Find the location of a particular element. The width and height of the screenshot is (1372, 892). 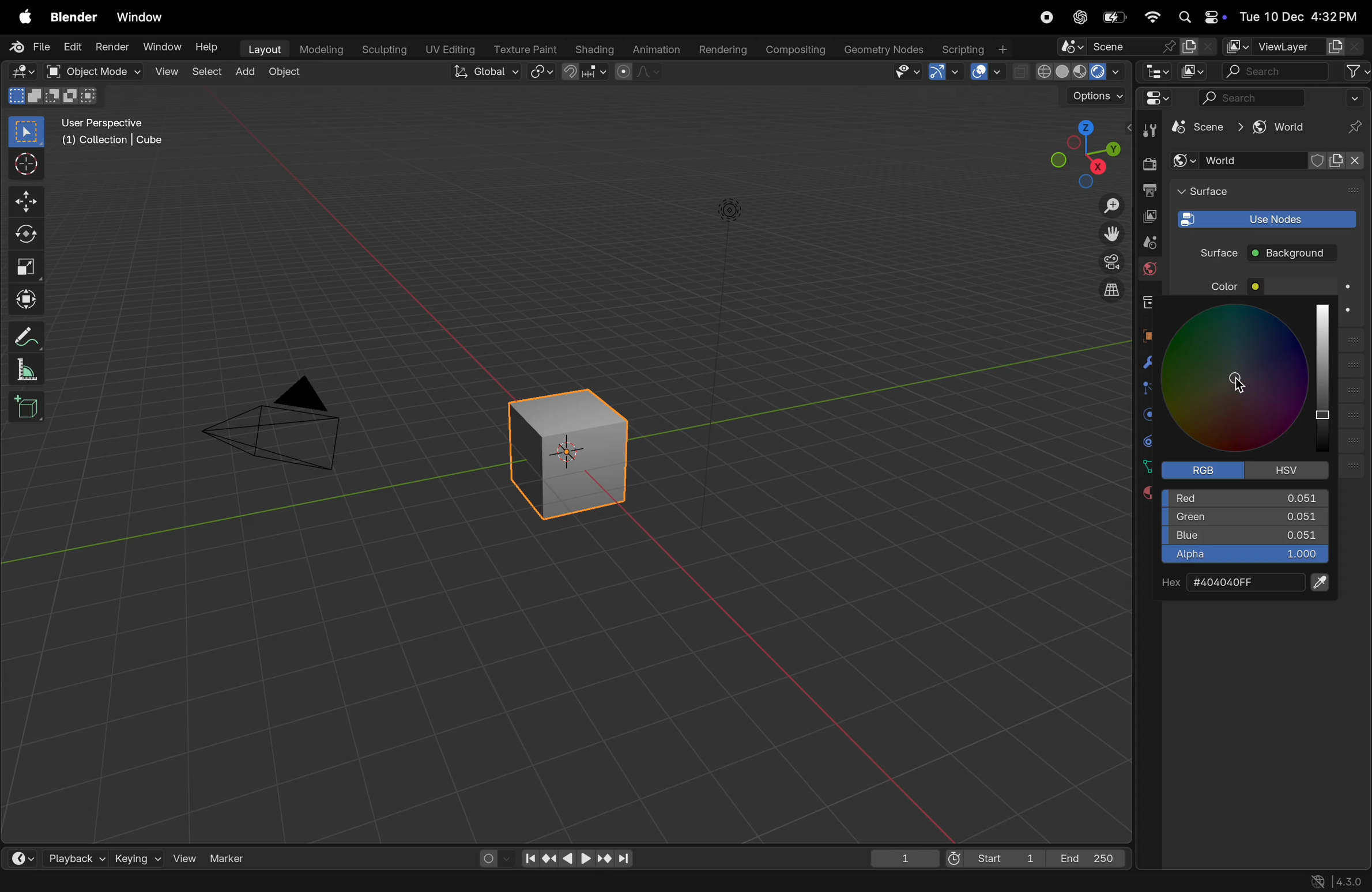

scene is located at coordinates (1136, 46).